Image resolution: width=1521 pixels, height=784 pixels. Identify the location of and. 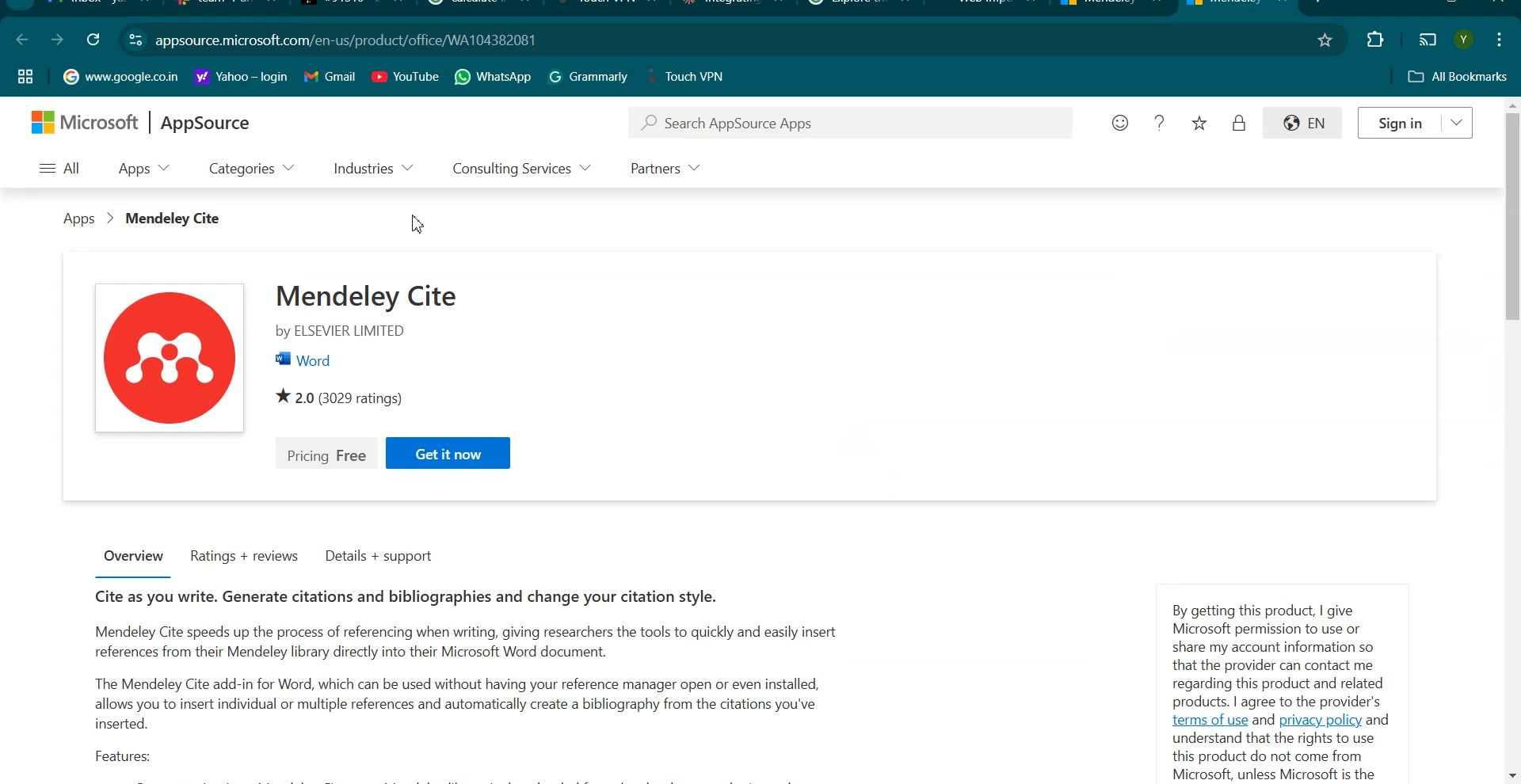
(1264, 720).